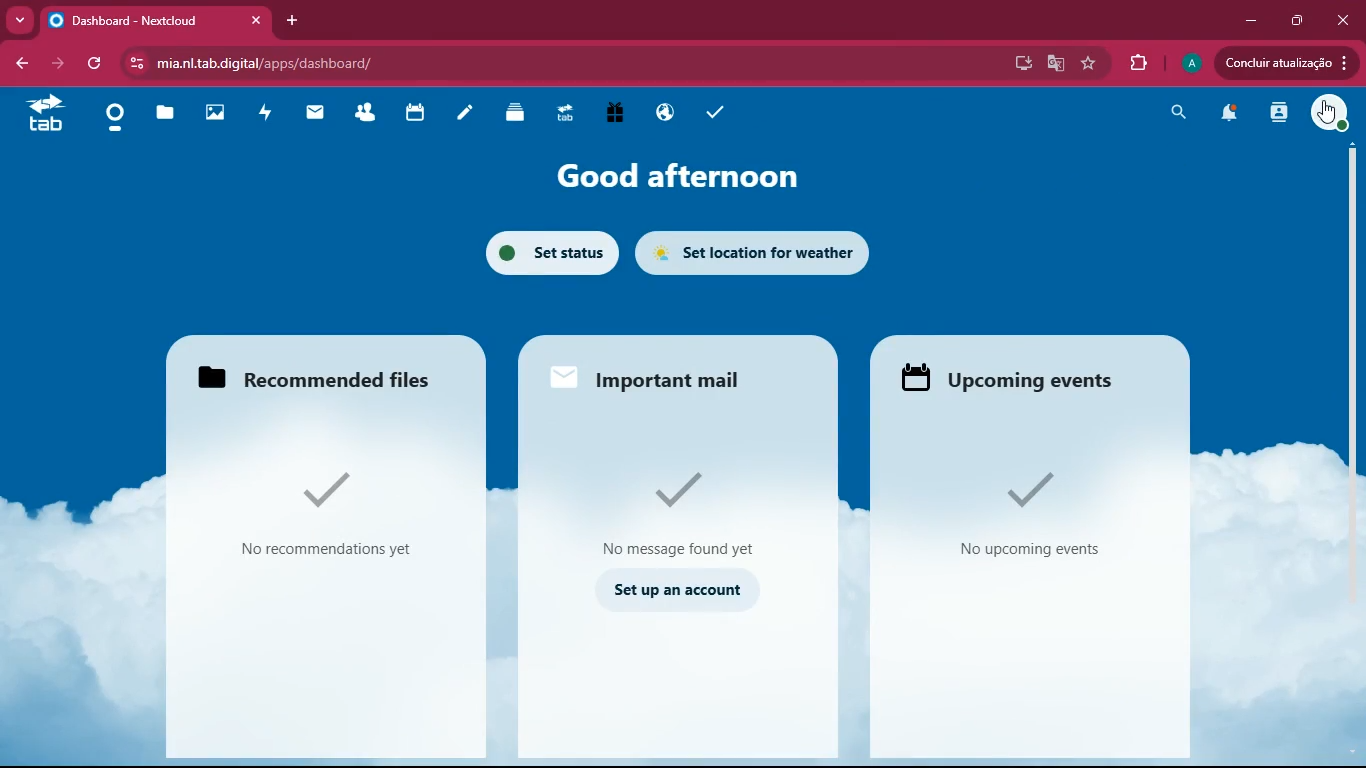  Describe the element at coordinates (1340, 21) in the screenshot. I see `close` at that location.